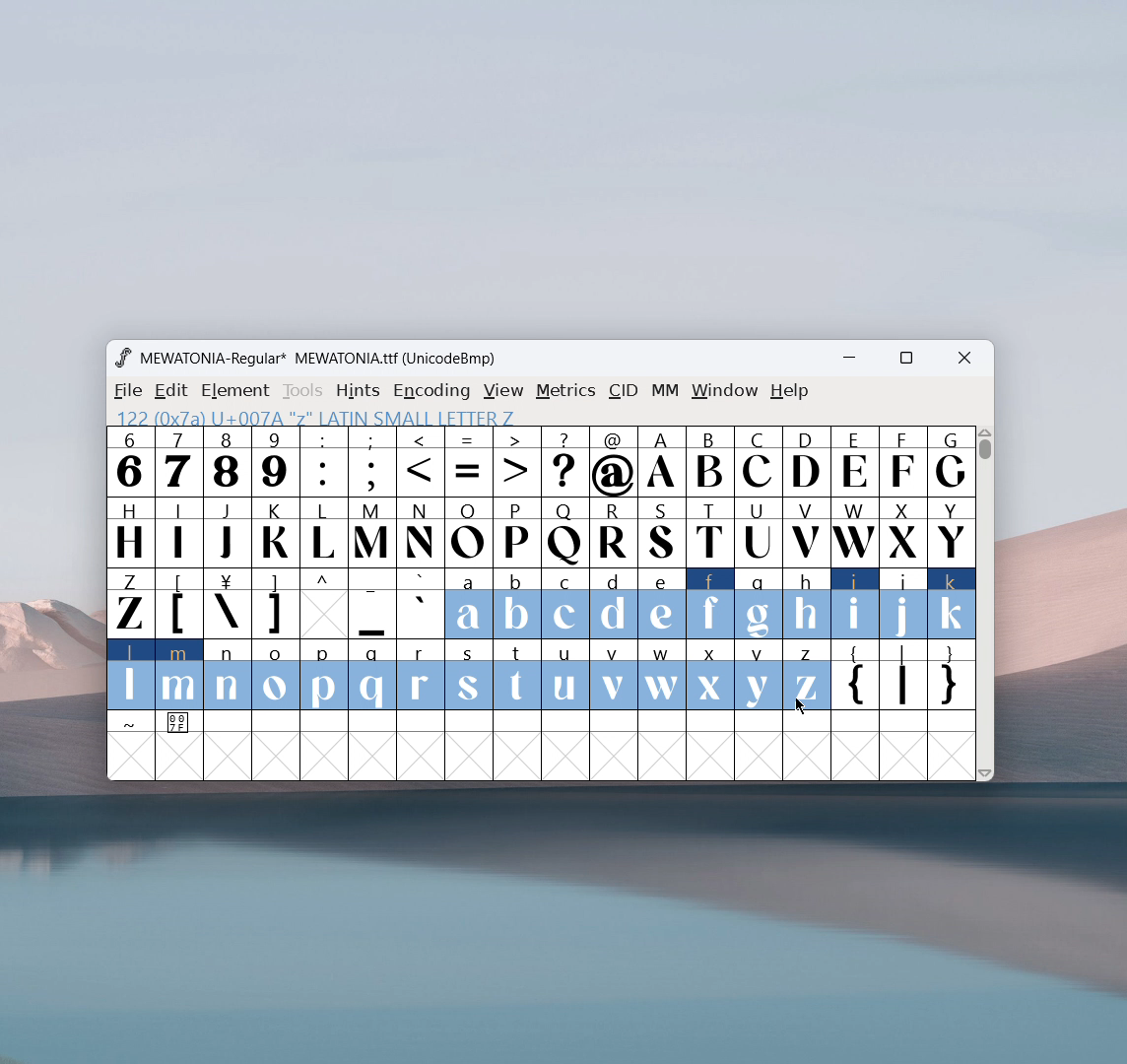  Describe the element at coordinates (613, 604) in the screenshot. I see `d` at that location.